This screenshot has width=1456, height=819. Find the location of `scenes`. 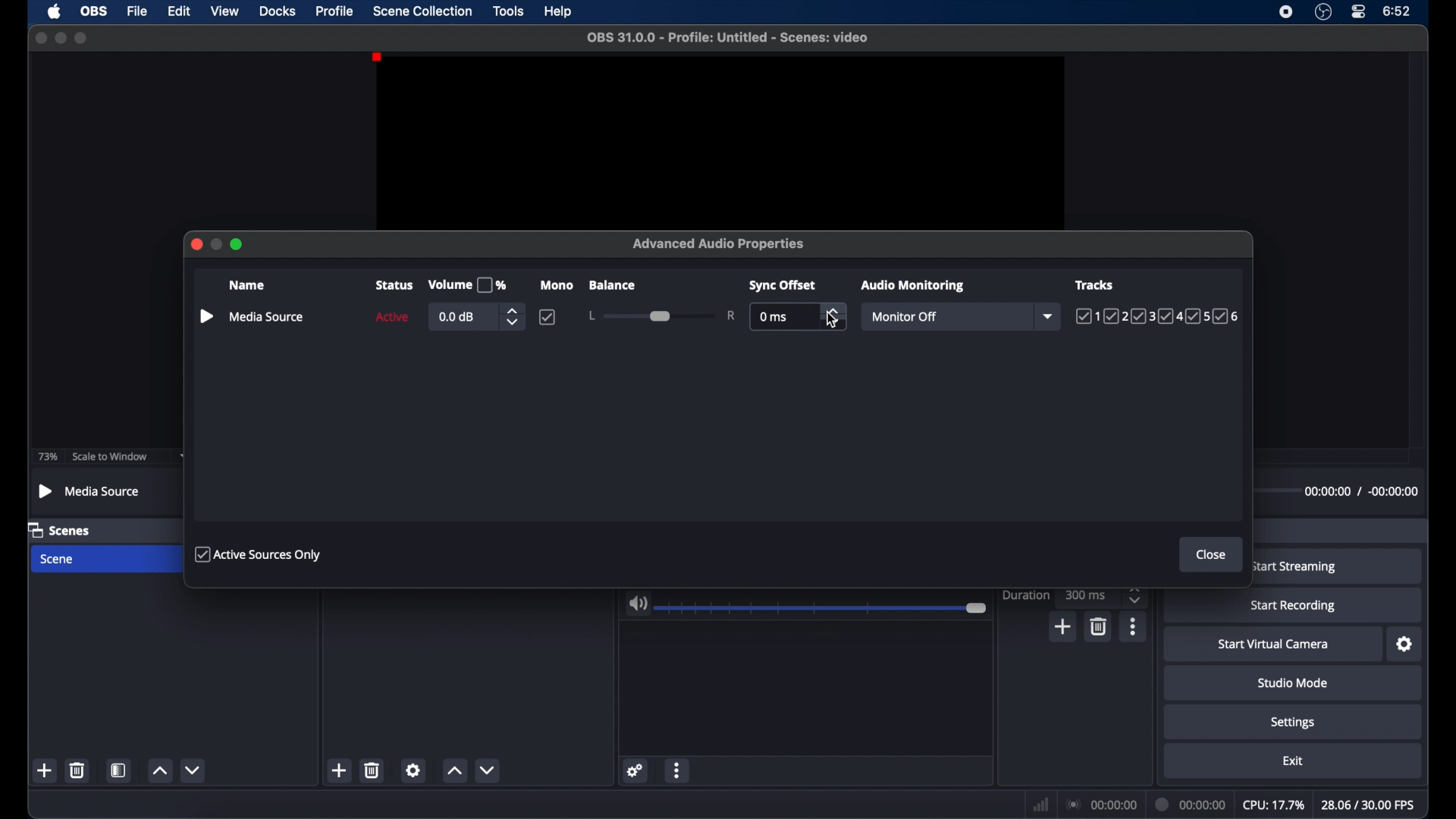

scenes is located at coordinates (59, 529).